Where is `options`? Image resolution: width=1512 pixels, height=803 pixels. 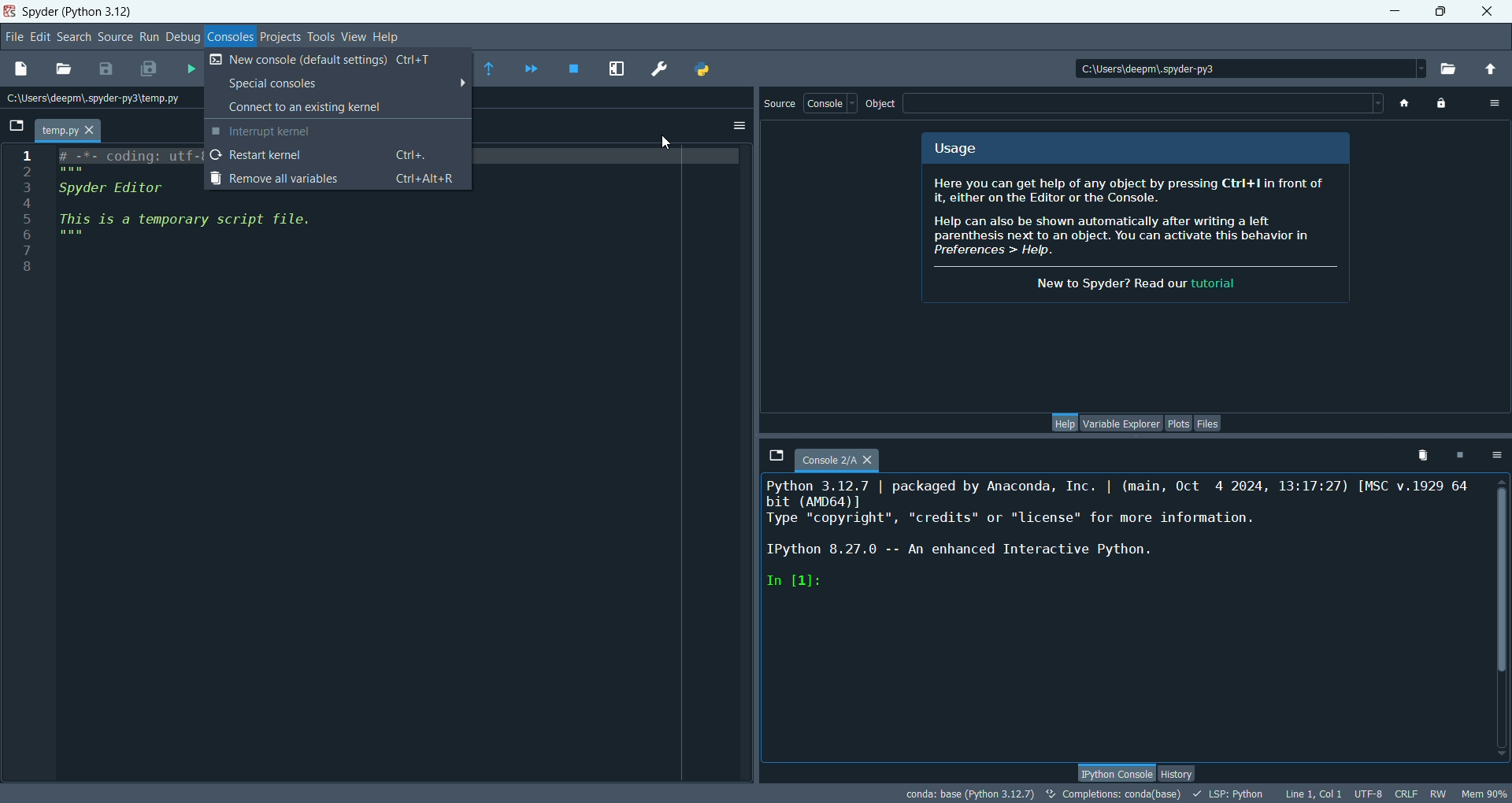
options is located at coordinates (739, 125).